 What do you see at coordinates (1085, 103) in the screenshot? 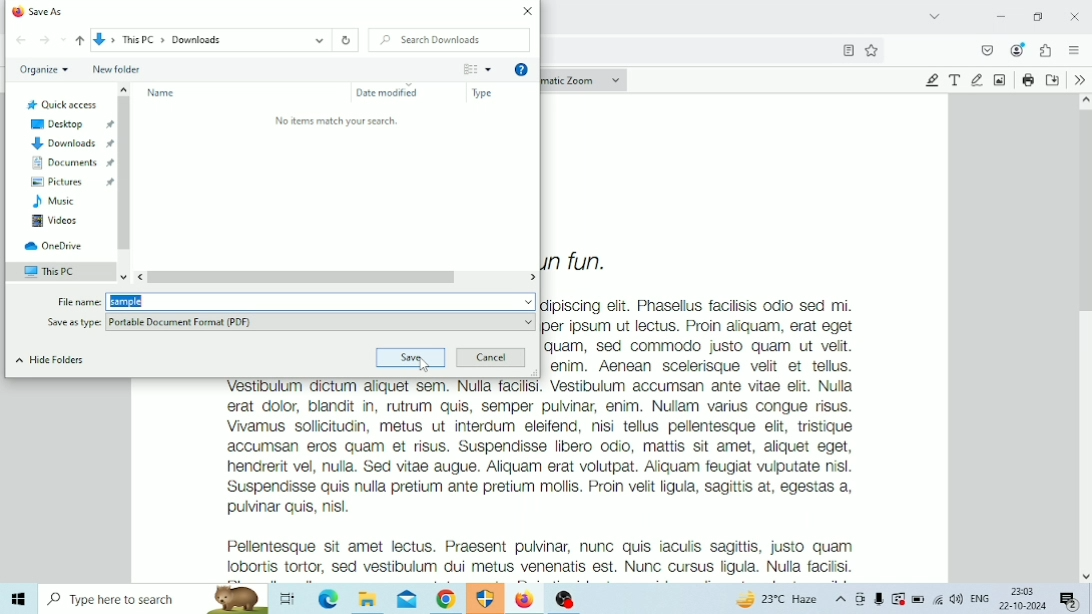
I see `Scroll up` at bounding box center [1085, 103].